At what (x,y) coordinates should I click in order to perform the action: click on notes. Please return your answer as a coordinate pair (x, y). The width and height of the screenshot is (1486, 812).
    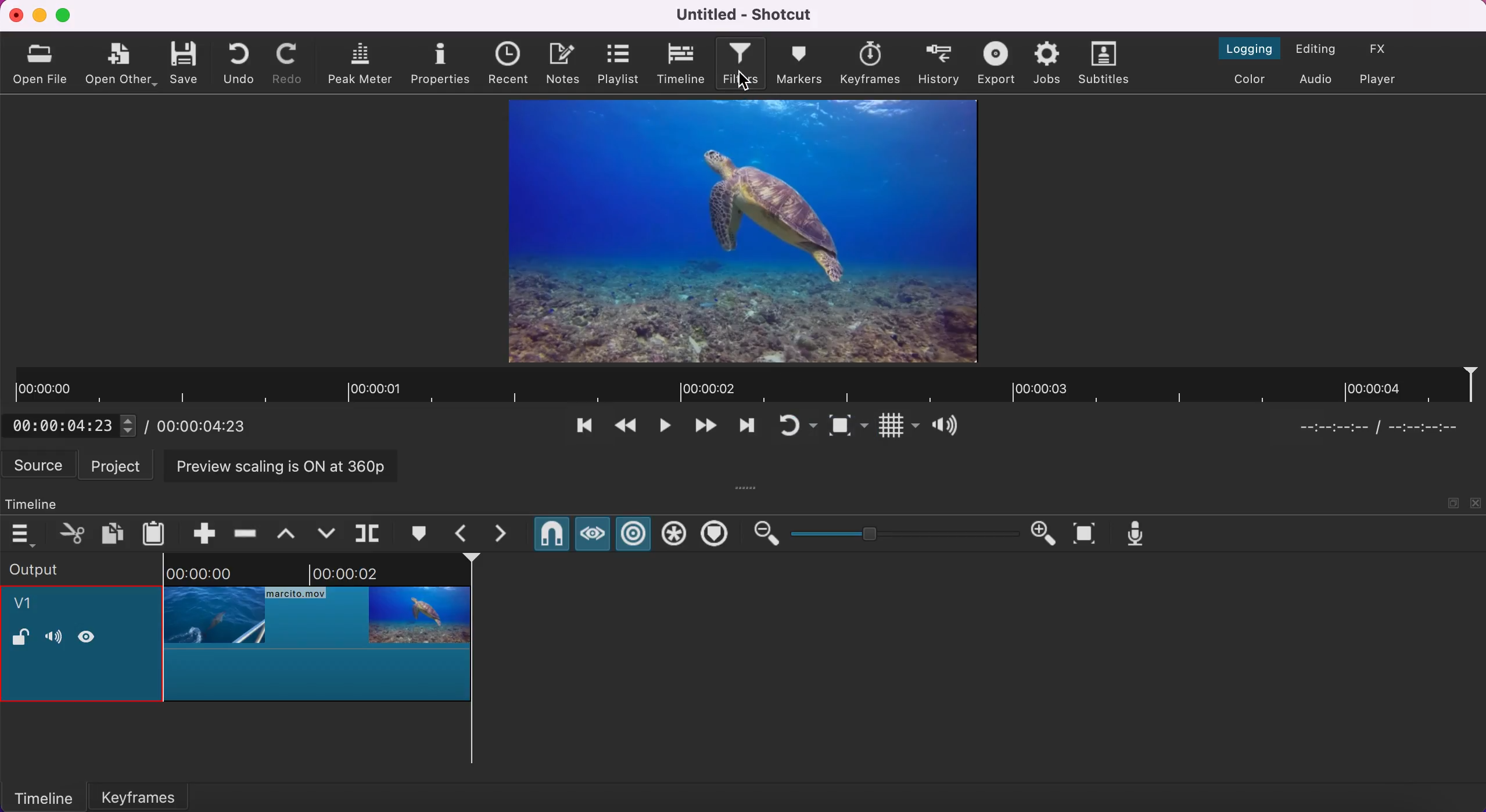
    Looking at the image, I should click on (566, 63).